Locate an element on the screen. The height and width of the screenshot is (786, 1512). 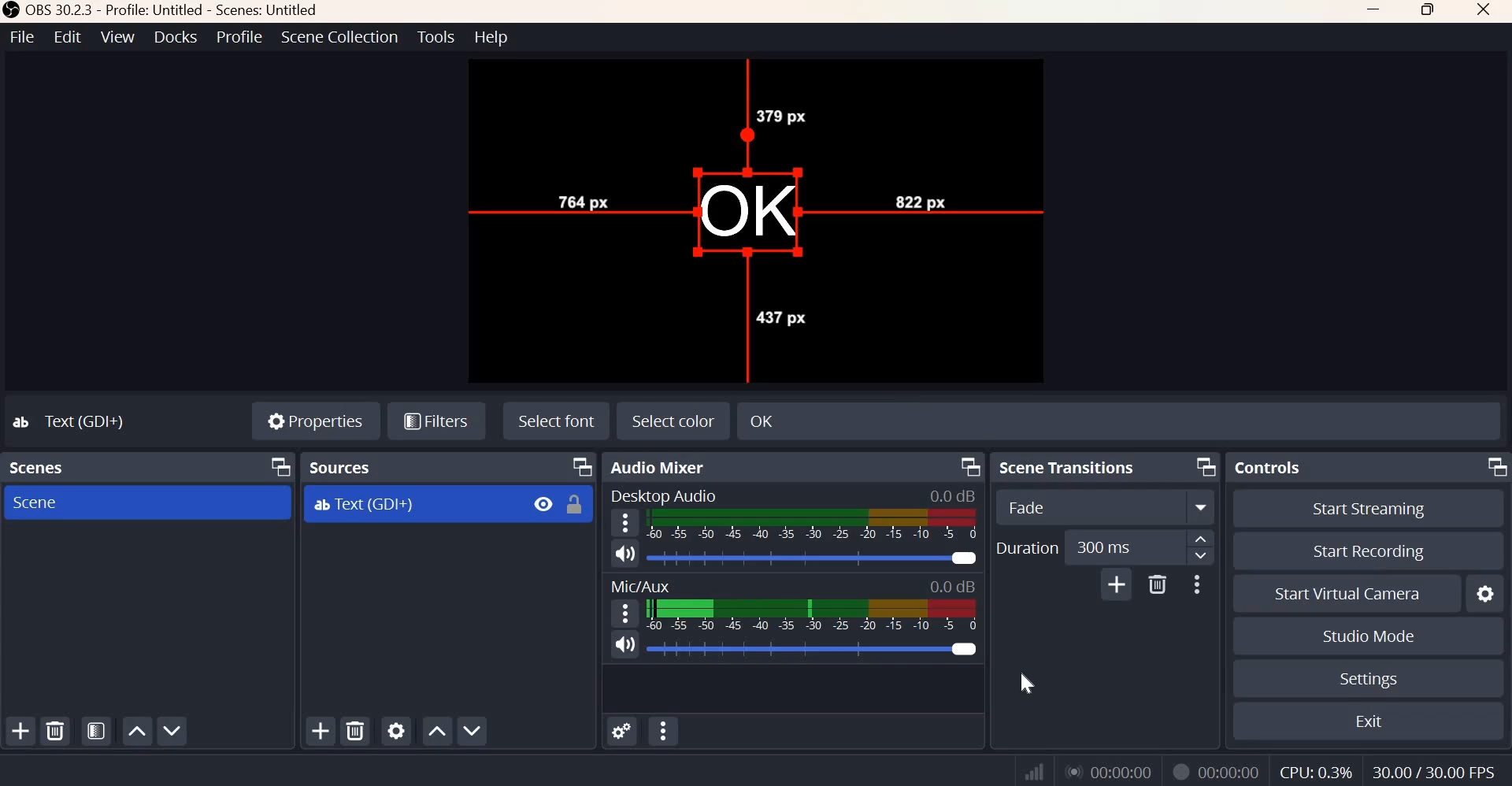
Move scene down is located at coordinates (171, 730).